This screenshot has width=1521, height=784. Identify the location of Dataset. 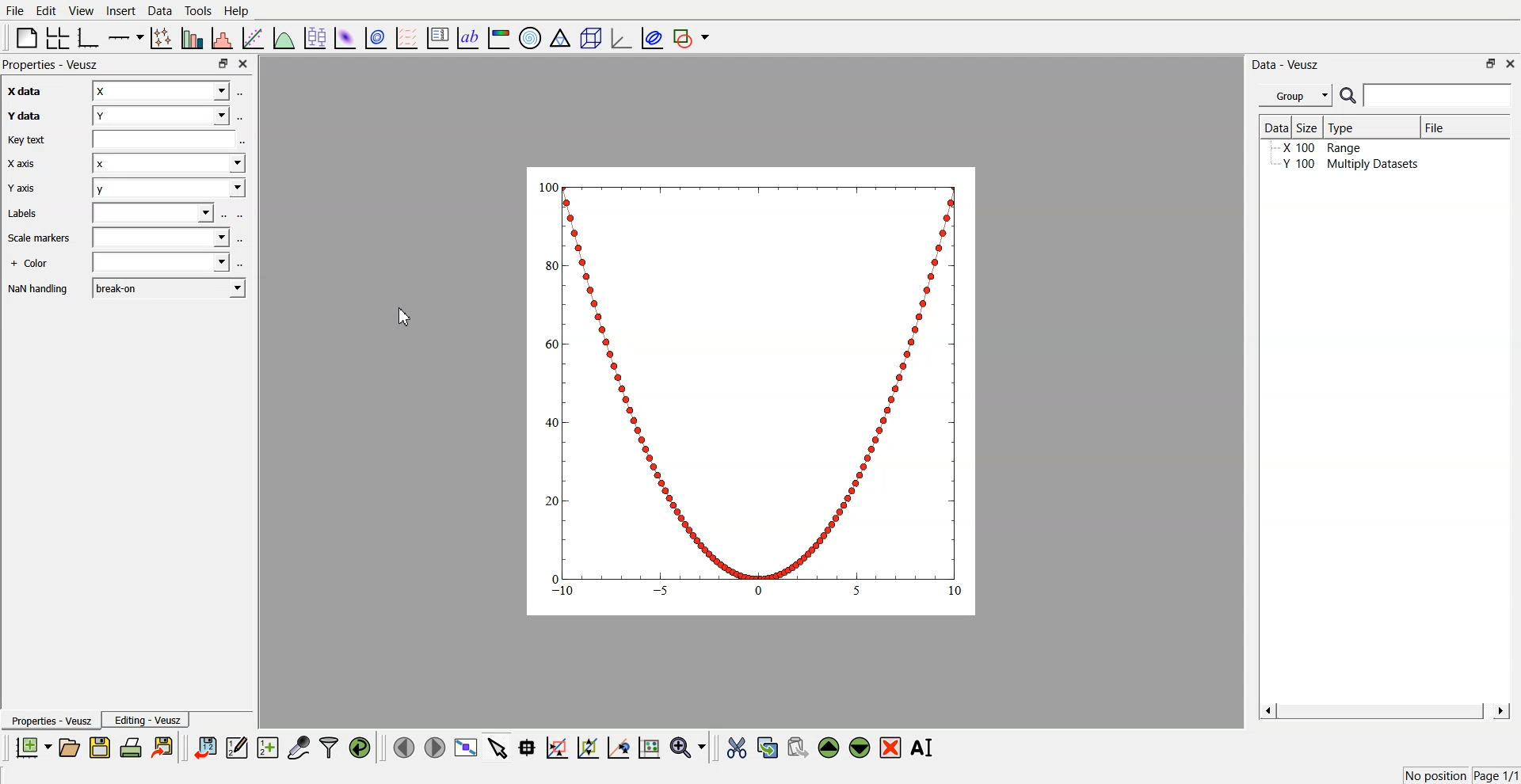
(1275, 128).